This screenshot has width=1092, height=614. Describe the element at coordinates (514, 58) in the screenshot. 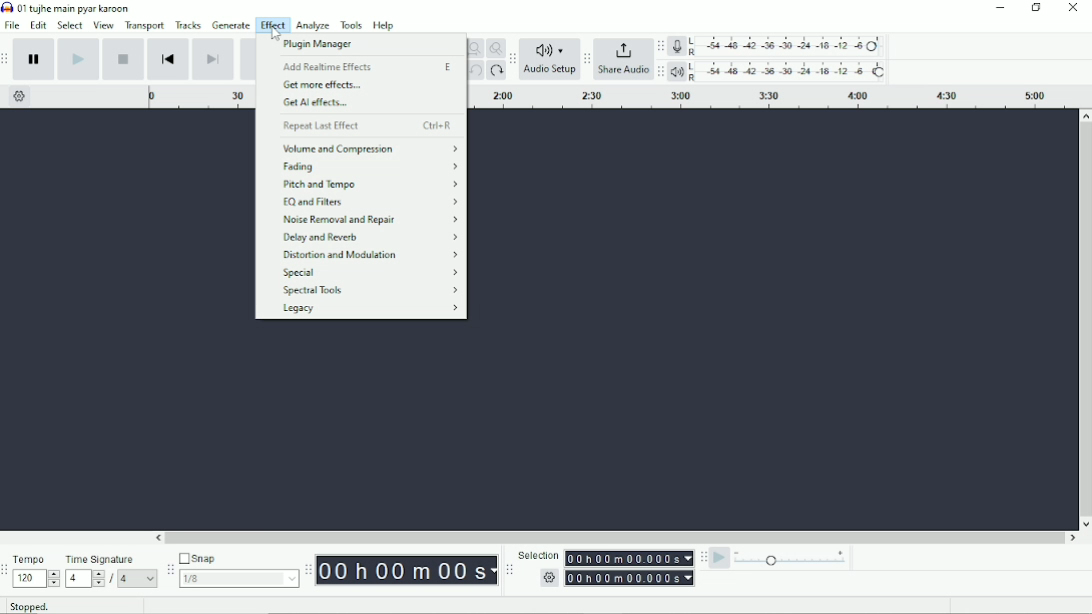

I see `Audacity Audio Setup toolbar` at that location.